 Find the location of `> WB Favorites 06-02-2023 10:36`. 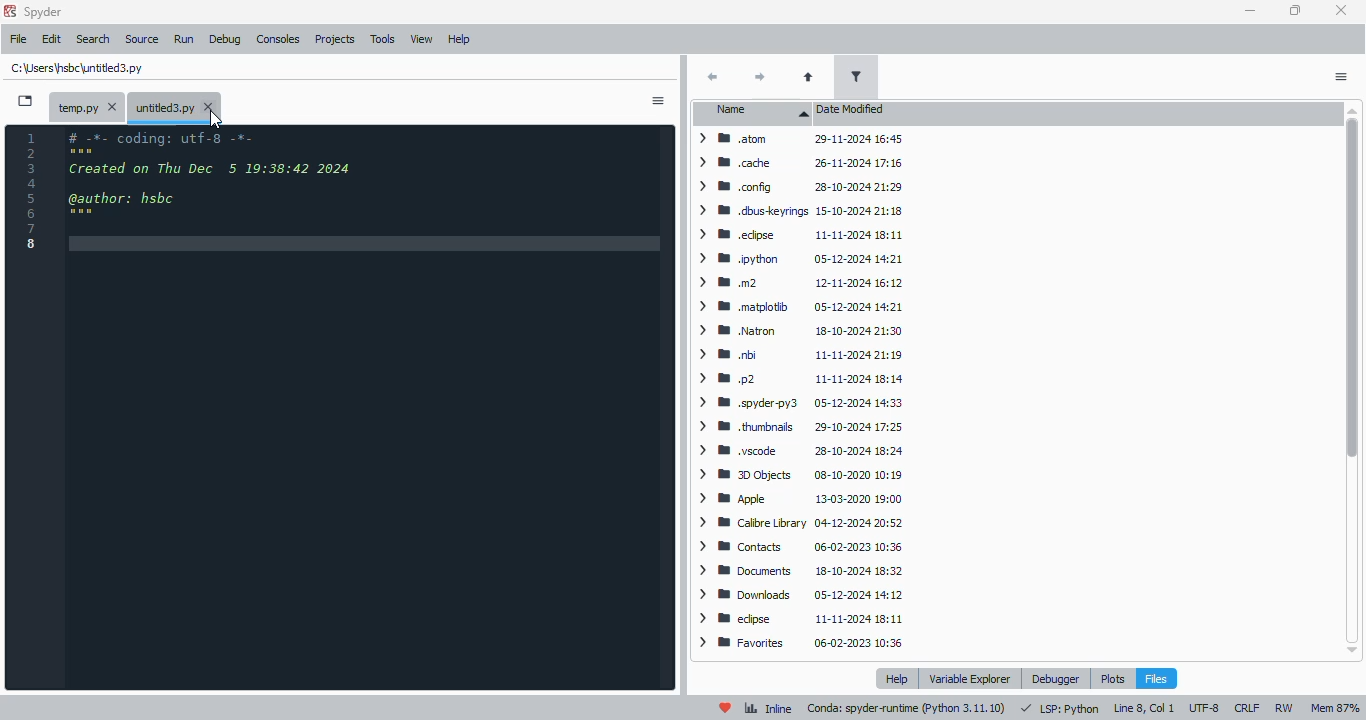

> WB Favorites 06-02-2023 10:36 is located at coordinates (800, 643).